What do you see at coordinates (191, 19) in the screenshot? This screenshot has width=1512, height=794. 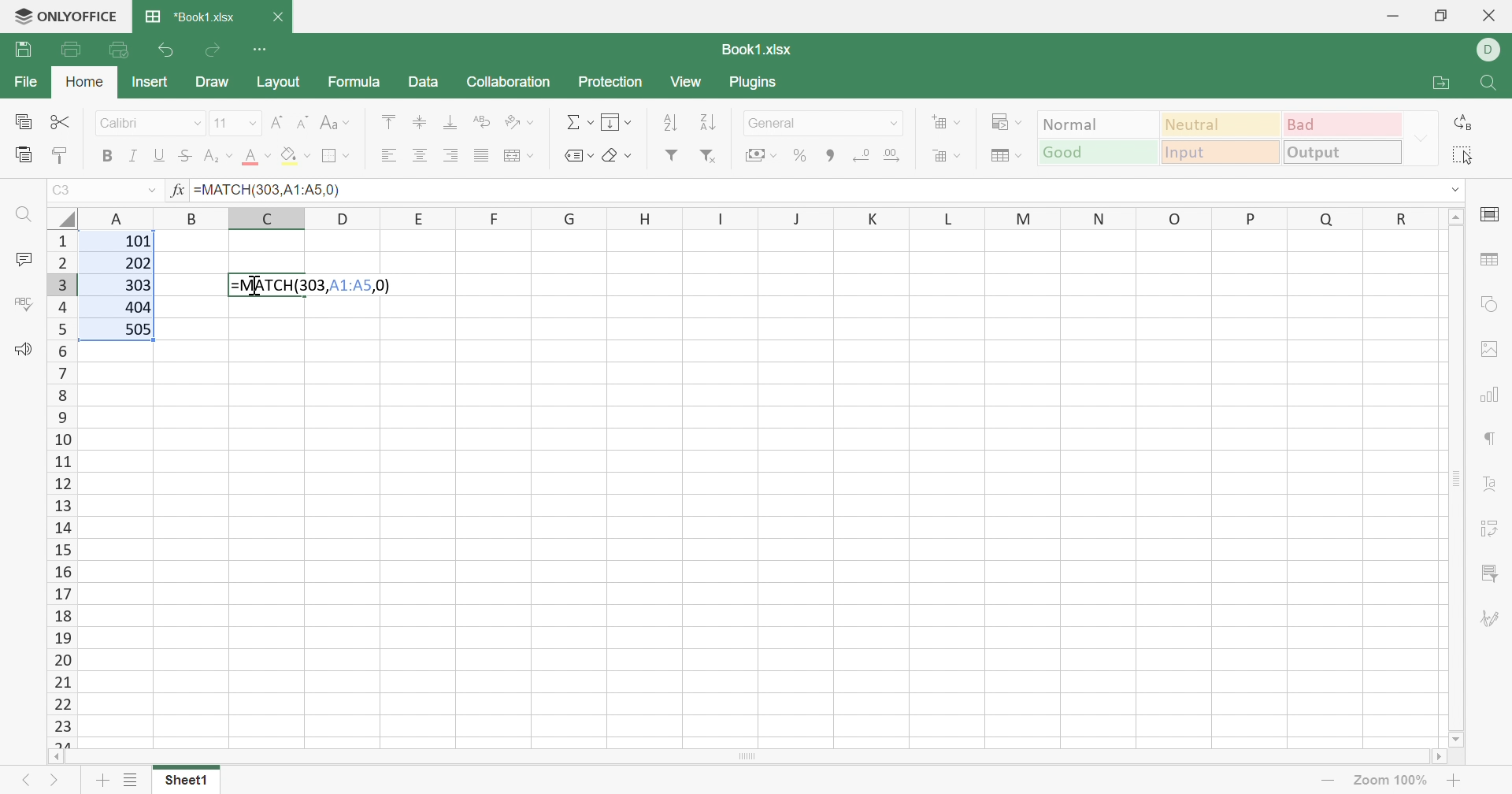 I see `*Book1.xlsx` at bounding box center [191, 19].